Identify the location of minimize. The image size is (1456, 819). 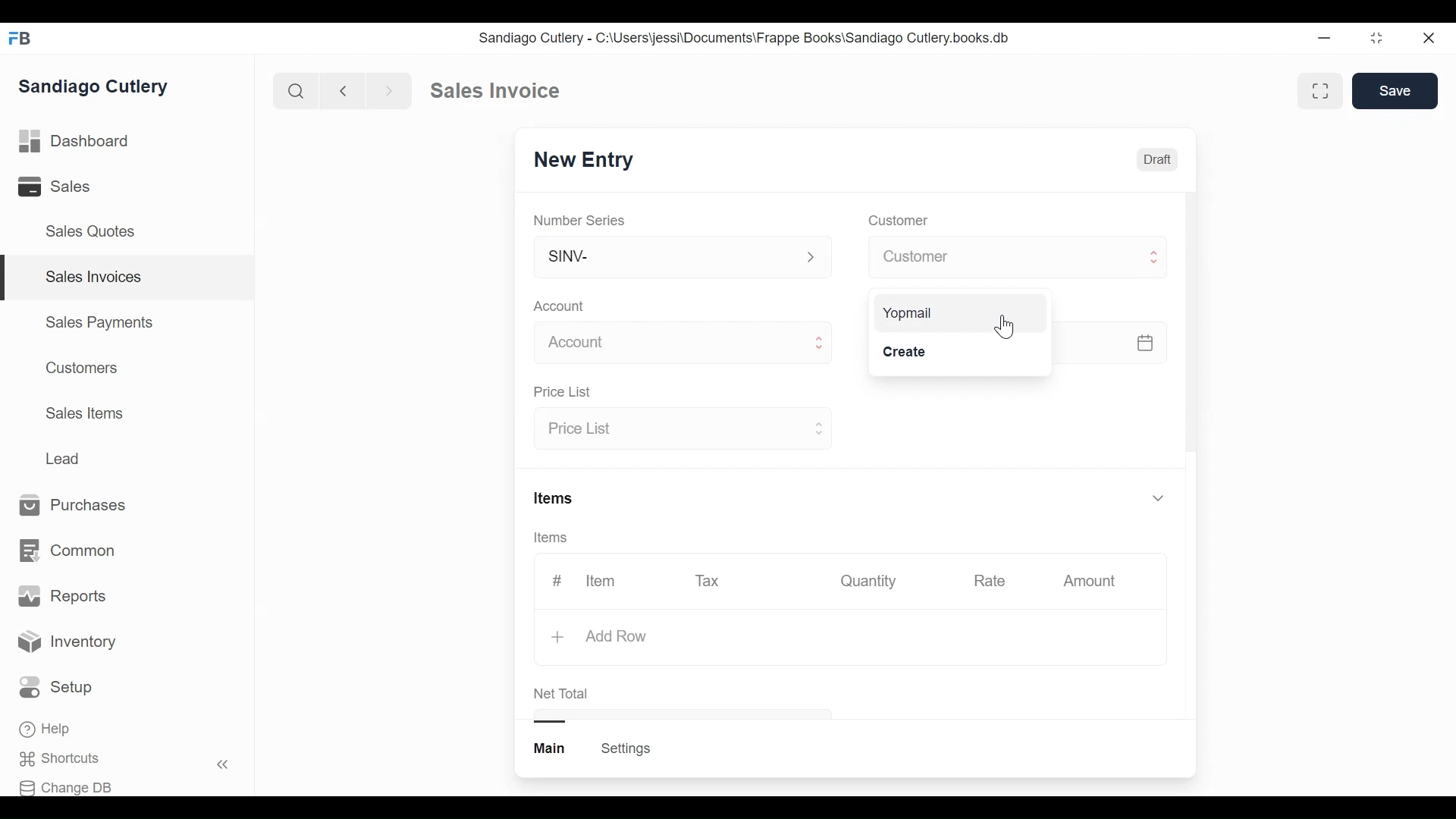
(1324, 37).